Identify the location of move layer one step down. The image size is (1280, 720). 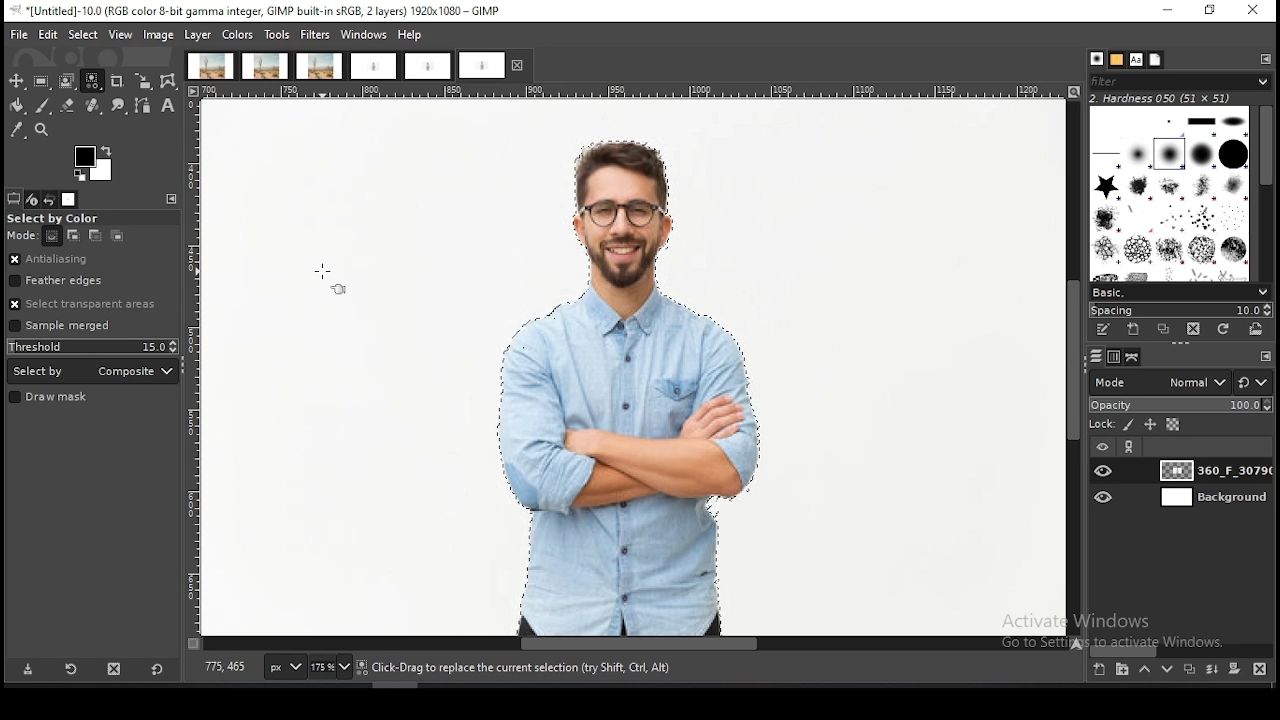
(1164, 669).